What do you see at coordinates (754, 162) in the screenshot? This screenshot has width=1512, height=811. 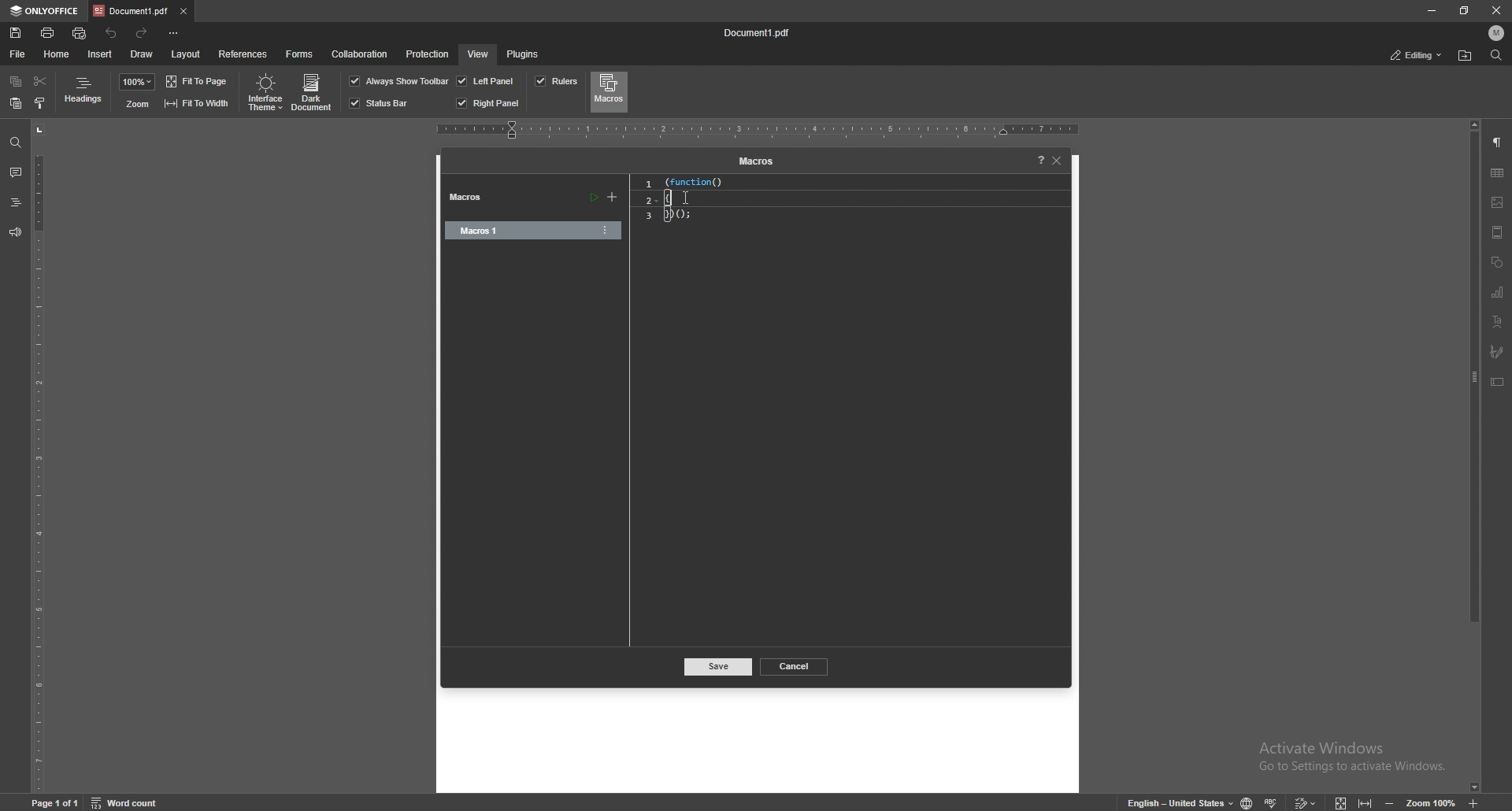 I see `macros` at bounding box center [754, 162].